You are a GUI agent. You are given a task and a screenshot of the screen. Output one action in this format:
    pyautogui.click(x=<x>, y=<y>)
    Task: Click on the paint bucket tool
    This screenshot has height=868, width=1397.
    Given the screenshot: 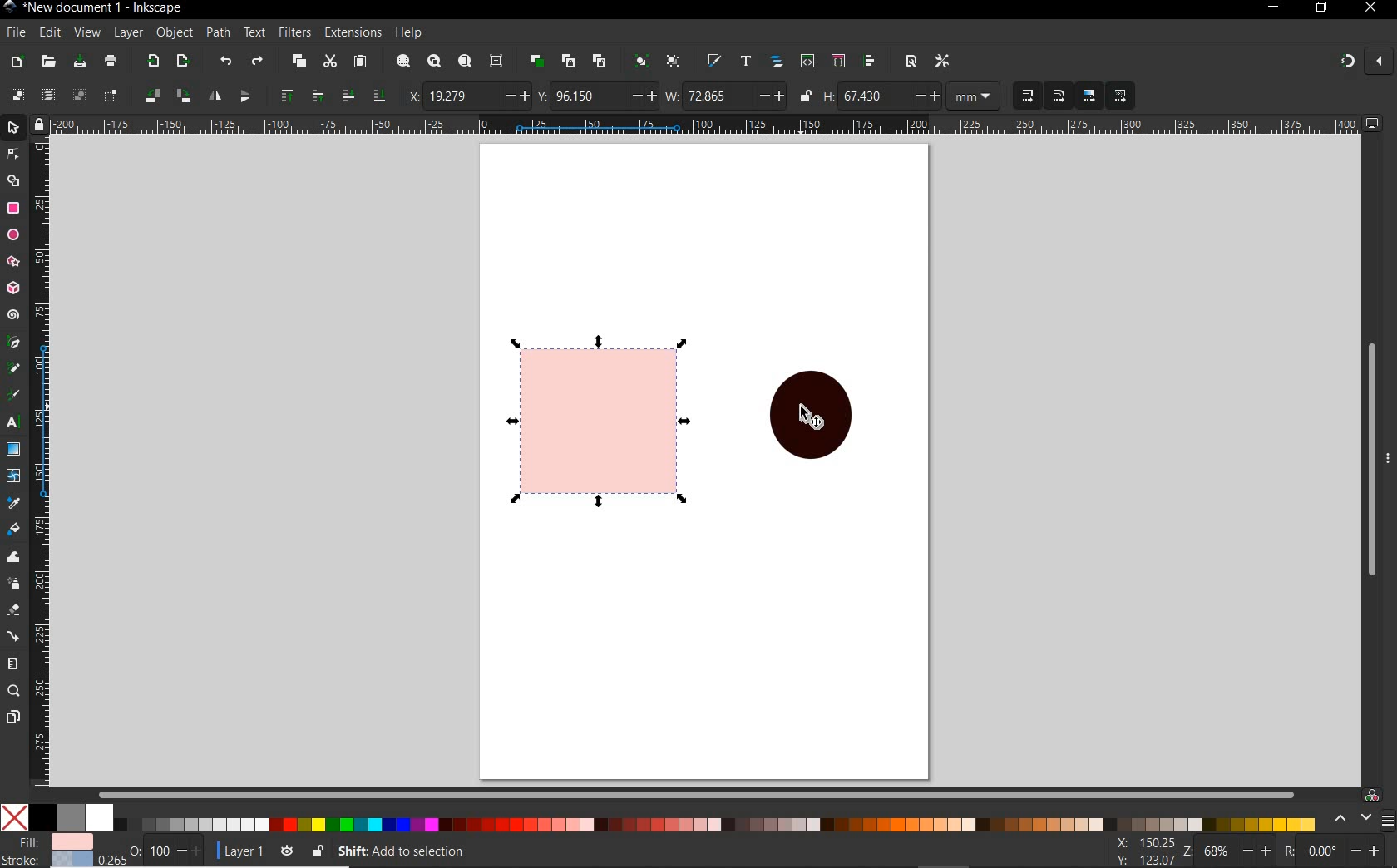 What is the action you would take?
    pyautogui.click(x=13, y=528)
    